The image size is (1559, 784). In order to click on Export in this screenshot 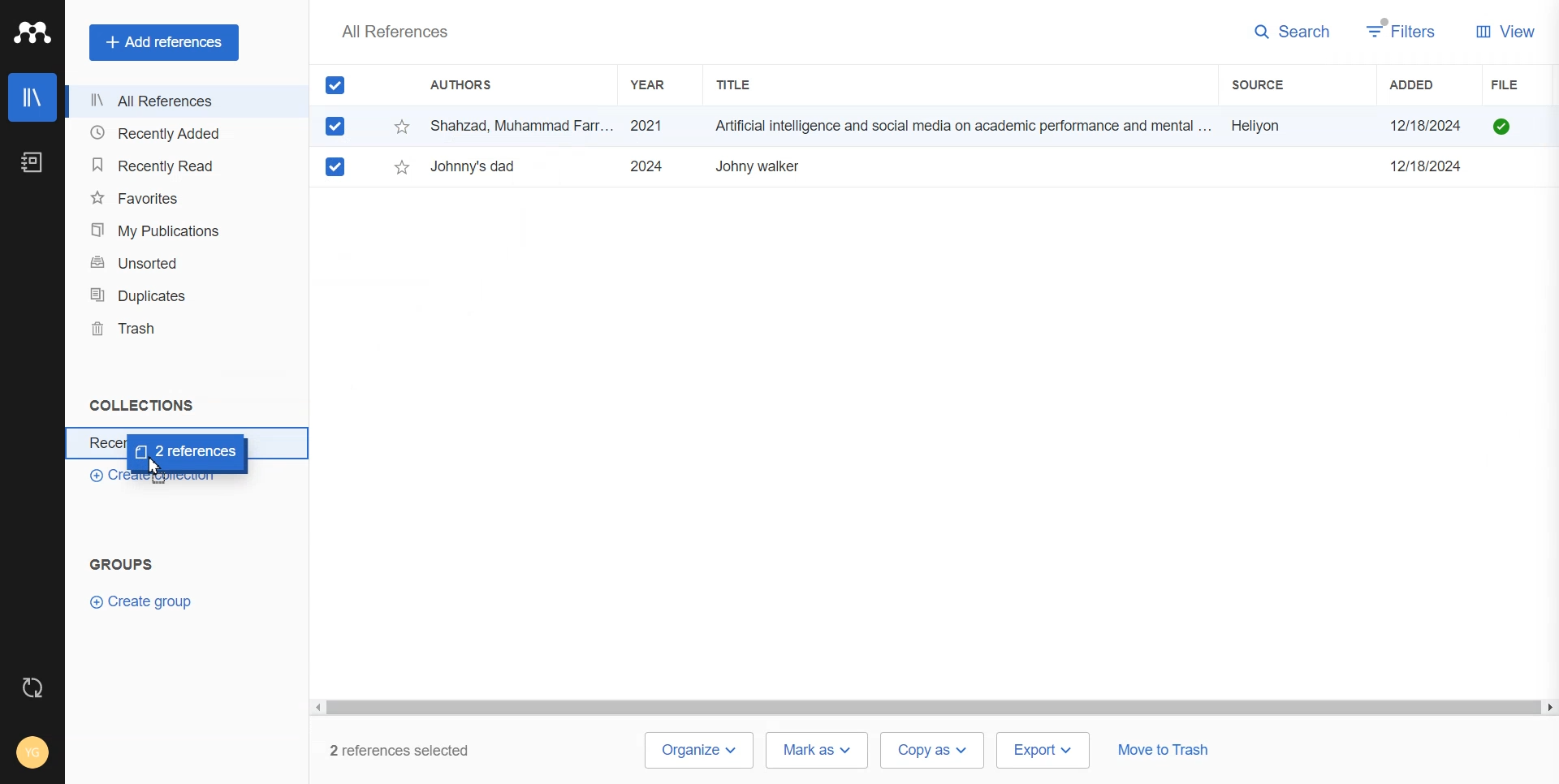, I will do `click(1044, 749)`.